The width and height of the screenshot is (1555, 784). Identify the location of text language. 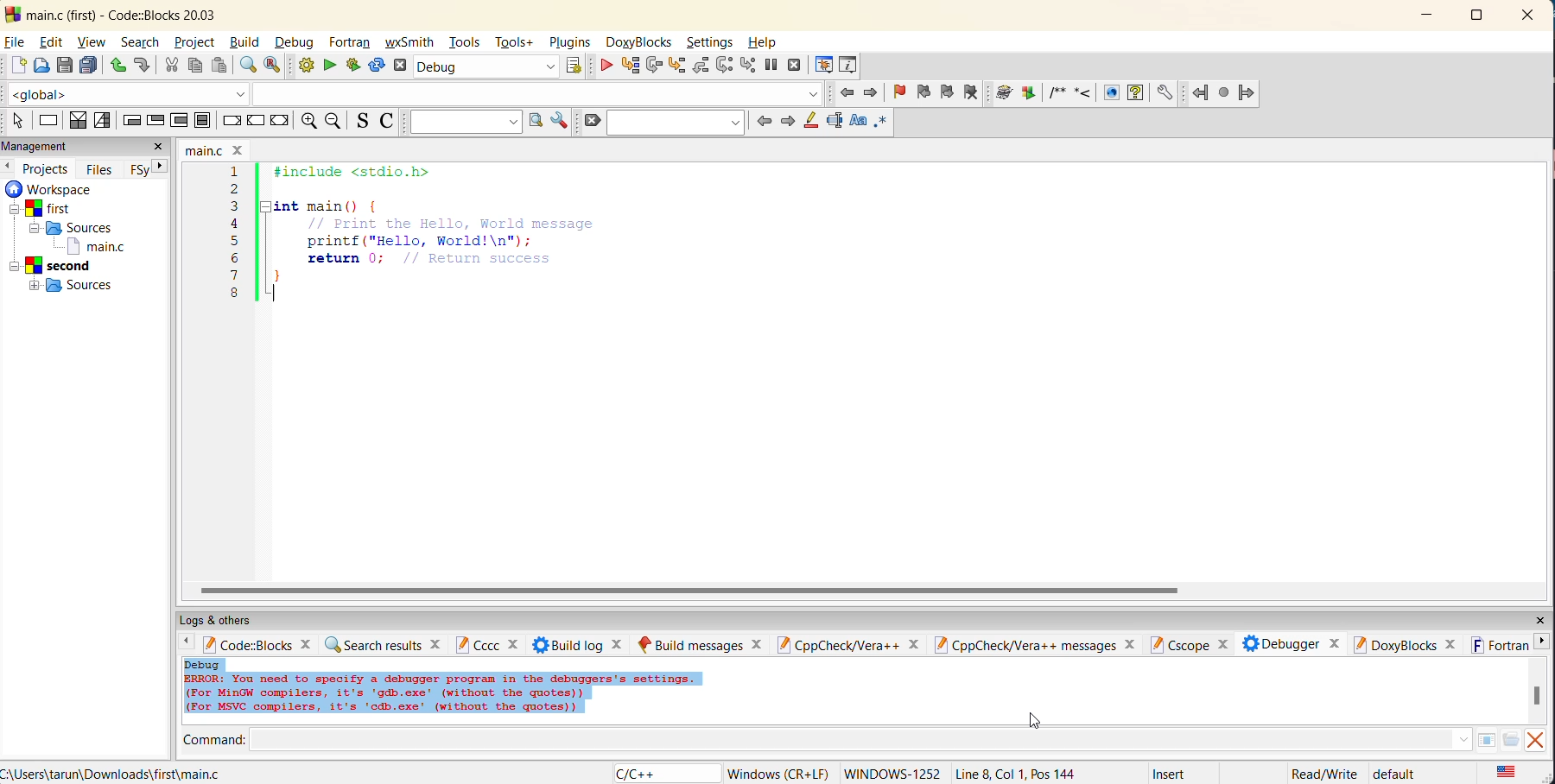
(1509, 774).